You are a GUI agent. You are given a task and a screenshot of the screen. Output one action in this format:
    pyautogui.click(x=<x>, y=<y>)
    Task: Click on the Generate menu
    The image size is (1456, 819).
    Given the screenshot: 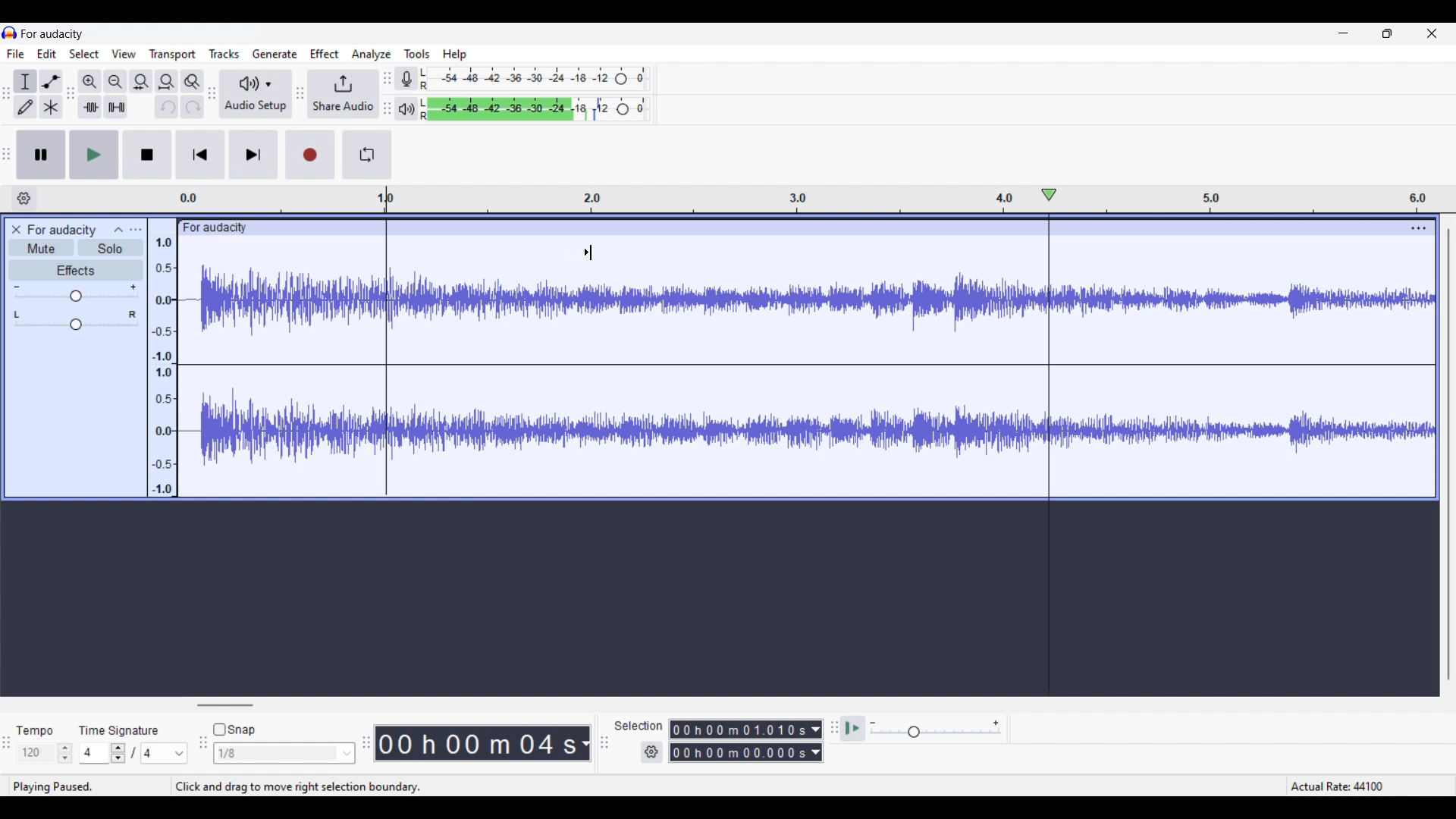 What is the action you would take?
    pyautogui.click(x=275, y=54)
    